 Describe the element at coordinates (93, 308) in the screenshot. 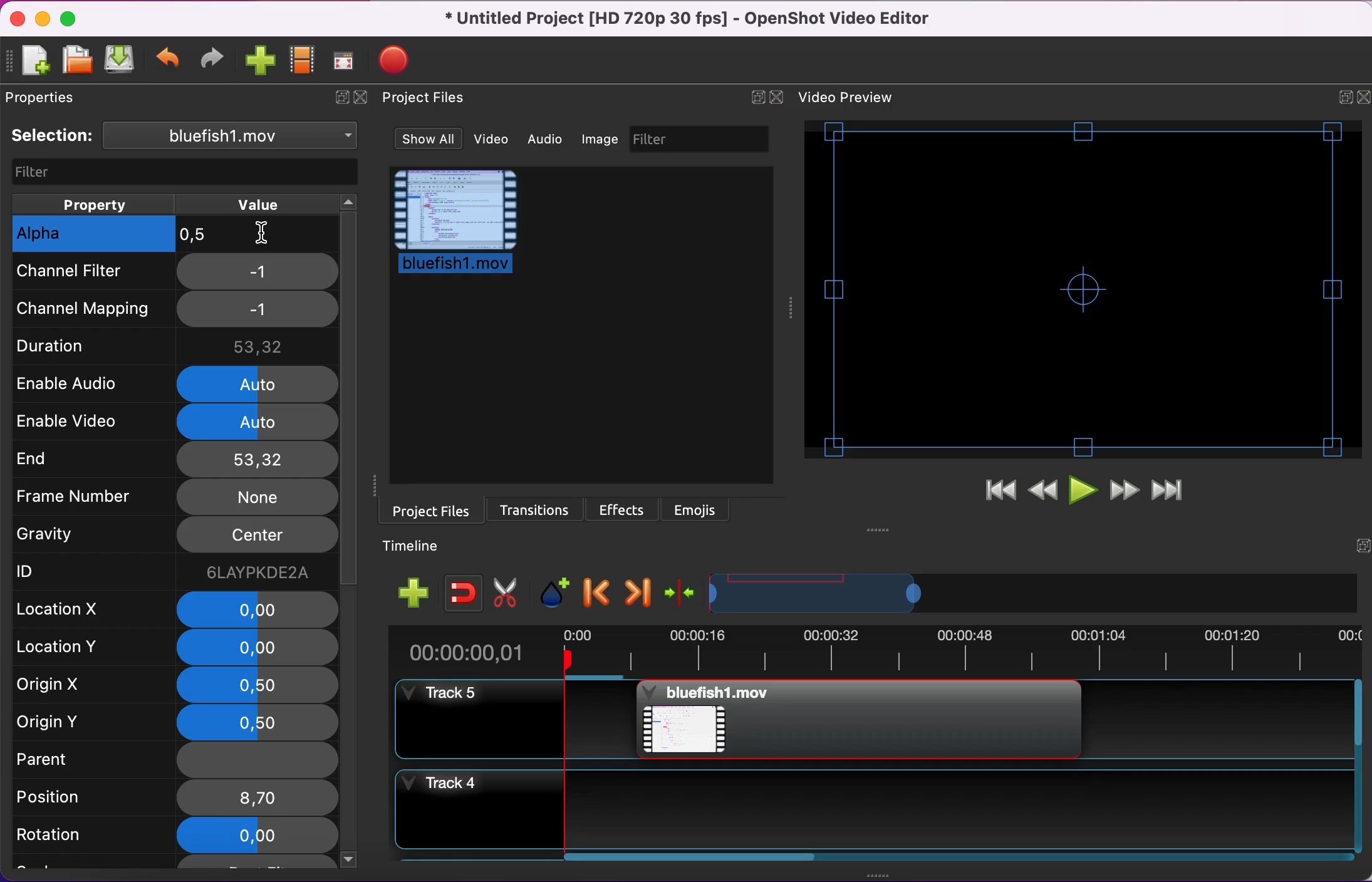

I see `channel mapping` at that location.